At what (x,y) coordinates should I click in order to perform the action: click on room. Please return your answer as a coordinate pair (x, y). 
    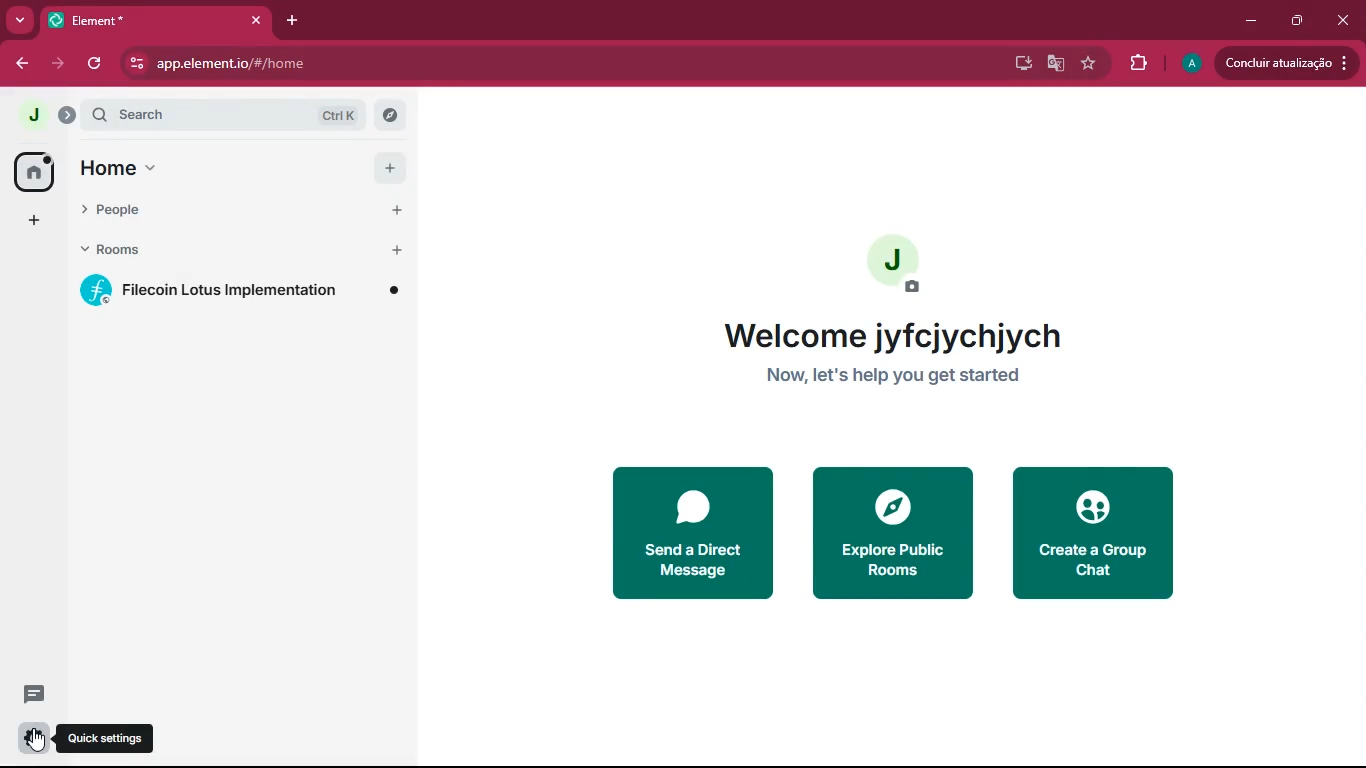
    Looking at the image, I should click on (241, 289).